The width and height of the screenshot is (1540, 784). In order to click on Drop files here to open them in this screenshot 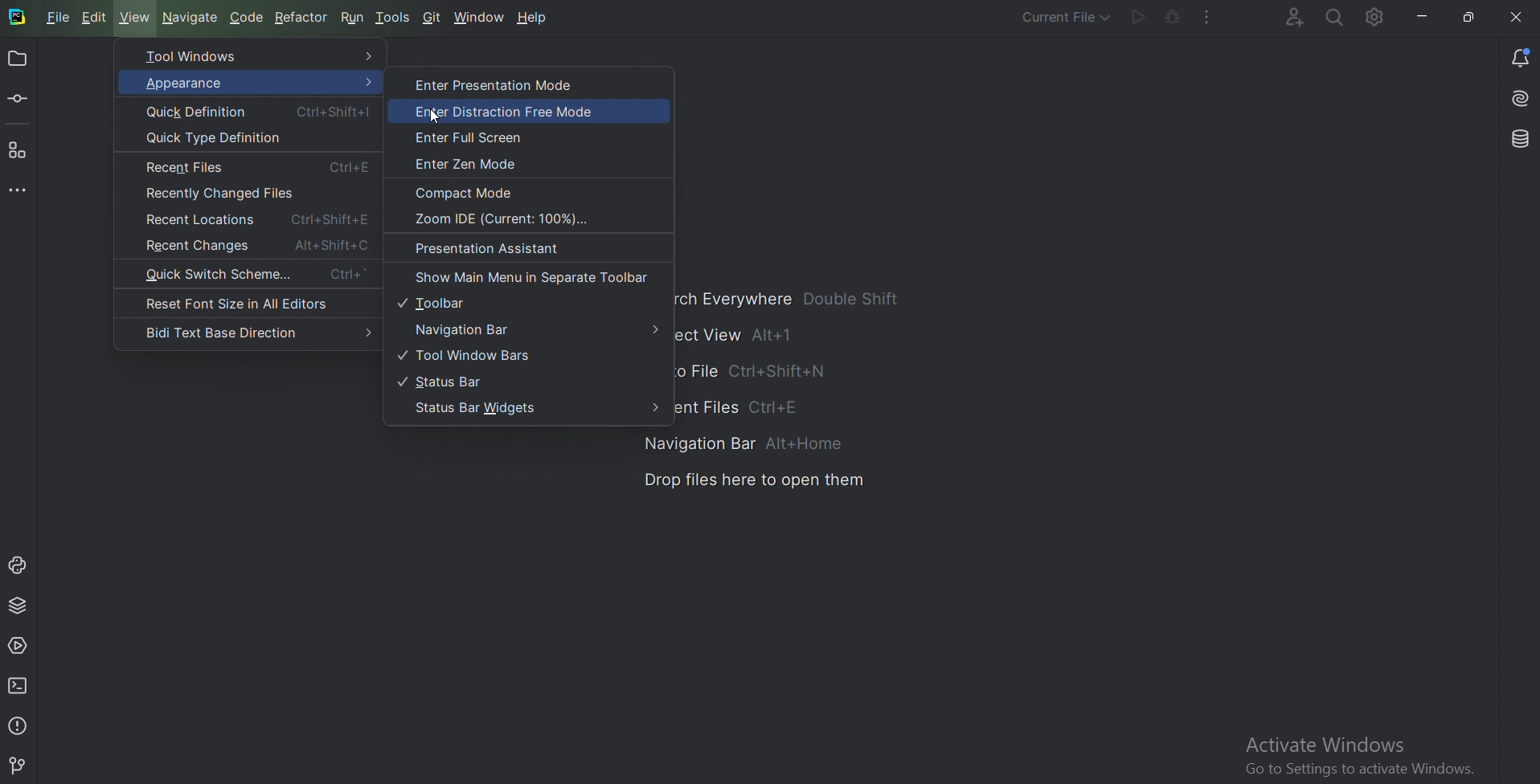, I will do `click(754, 483)`.